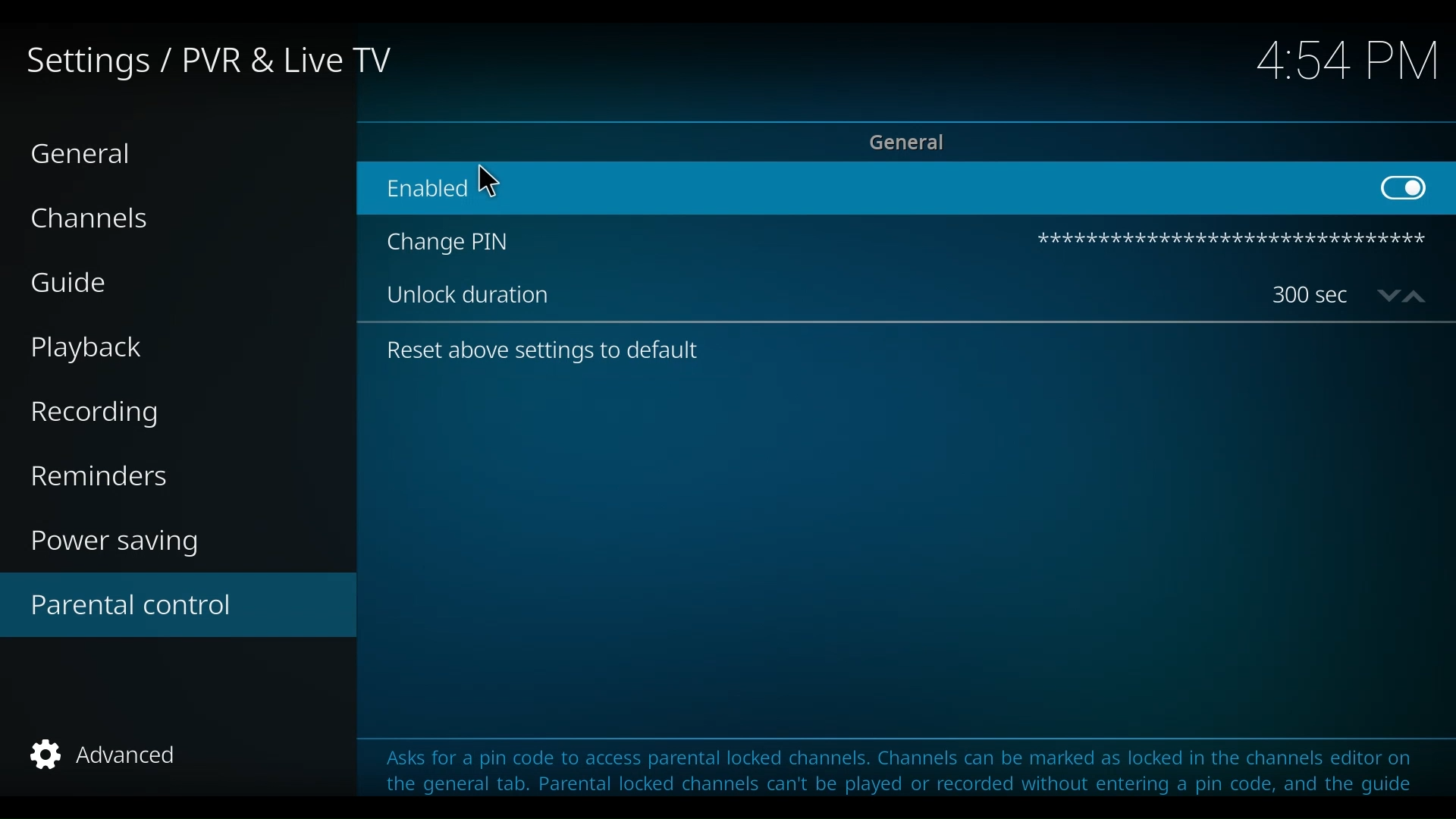 This screenshot has width=1456, height=819. What do you see at coordinates (1412, 188) in the screenshot?
I see `Toggle on/off` at bounding box center [1412, 188].